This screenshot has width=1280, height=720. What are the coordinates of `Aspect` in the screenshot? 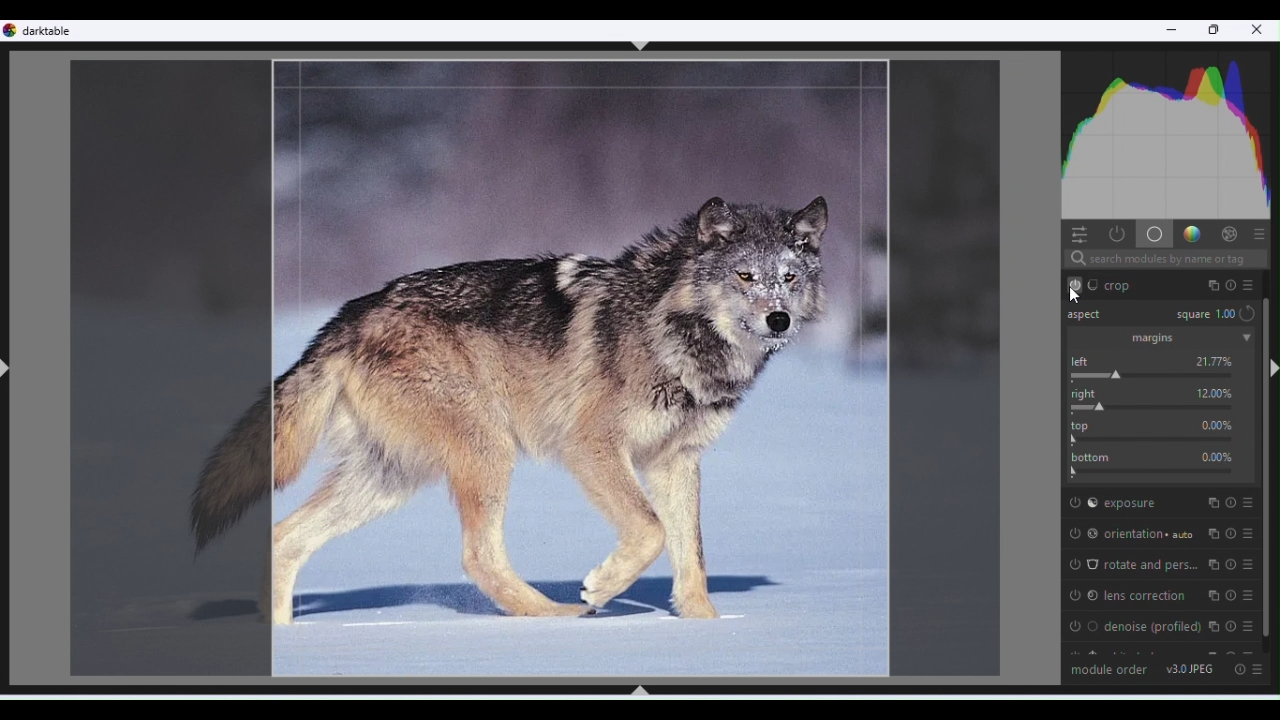 It's located at (1090, 316).